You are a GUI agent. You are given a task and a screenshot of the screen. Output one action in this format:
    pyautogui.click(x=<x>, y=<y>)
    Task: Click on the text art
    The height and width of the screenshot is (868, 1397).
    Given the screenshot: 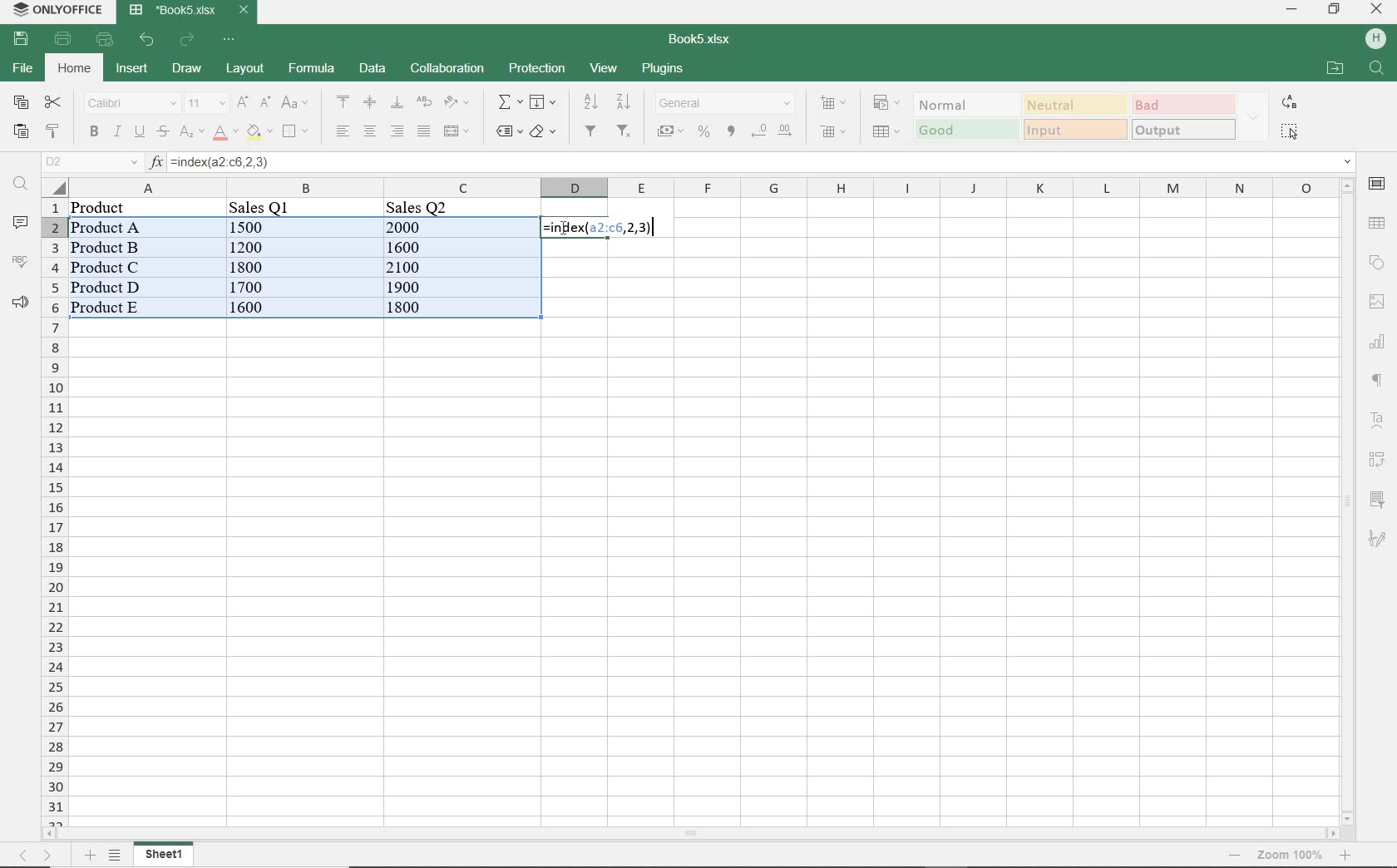 What is the action you would take?
    pyautogui.click(x=1379, y=420)
    